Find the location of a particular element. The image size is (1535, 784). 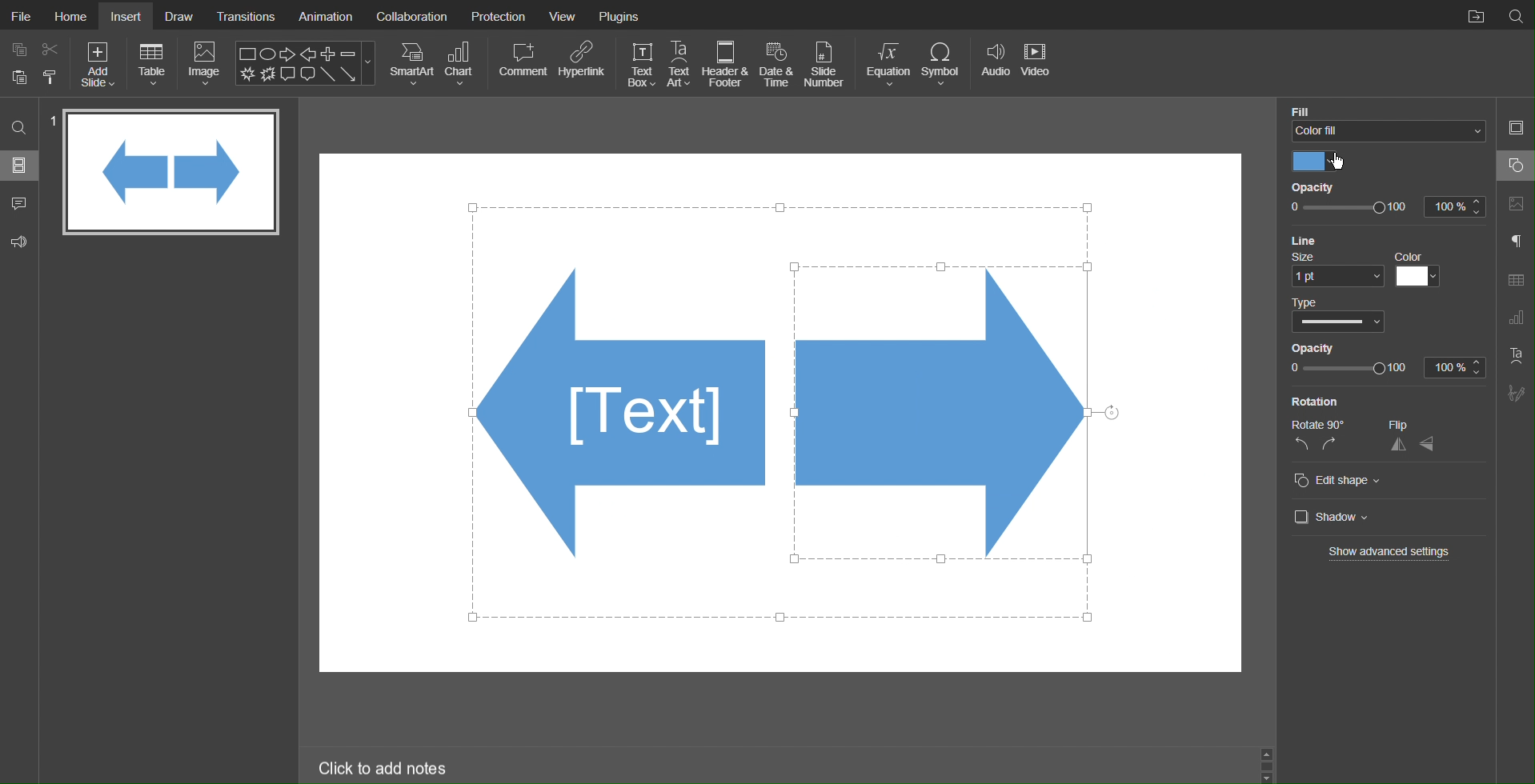

line type is located at coordinates (1337, 314).